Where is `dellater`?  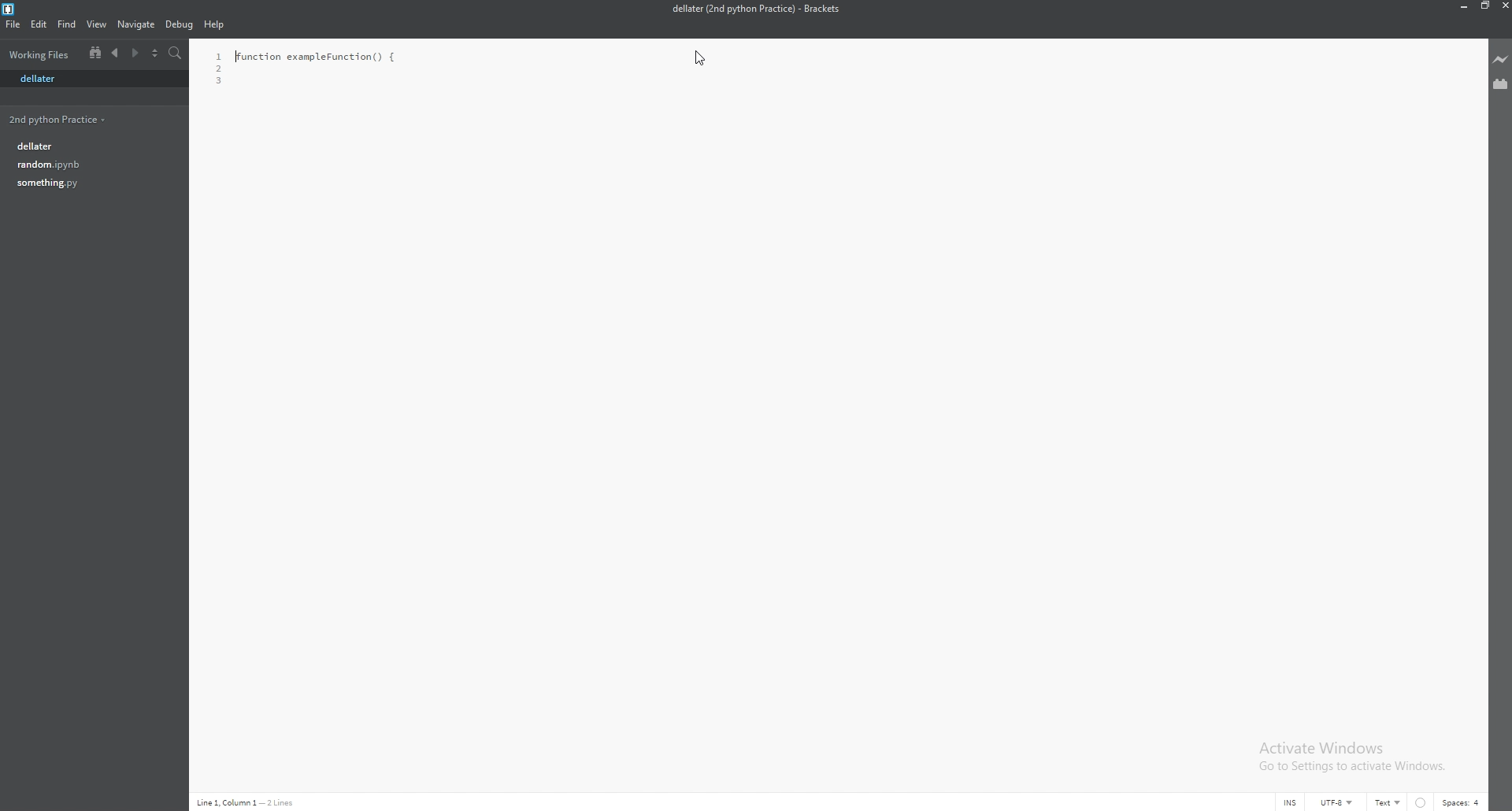
dellater is located at coordinates (88, 146).